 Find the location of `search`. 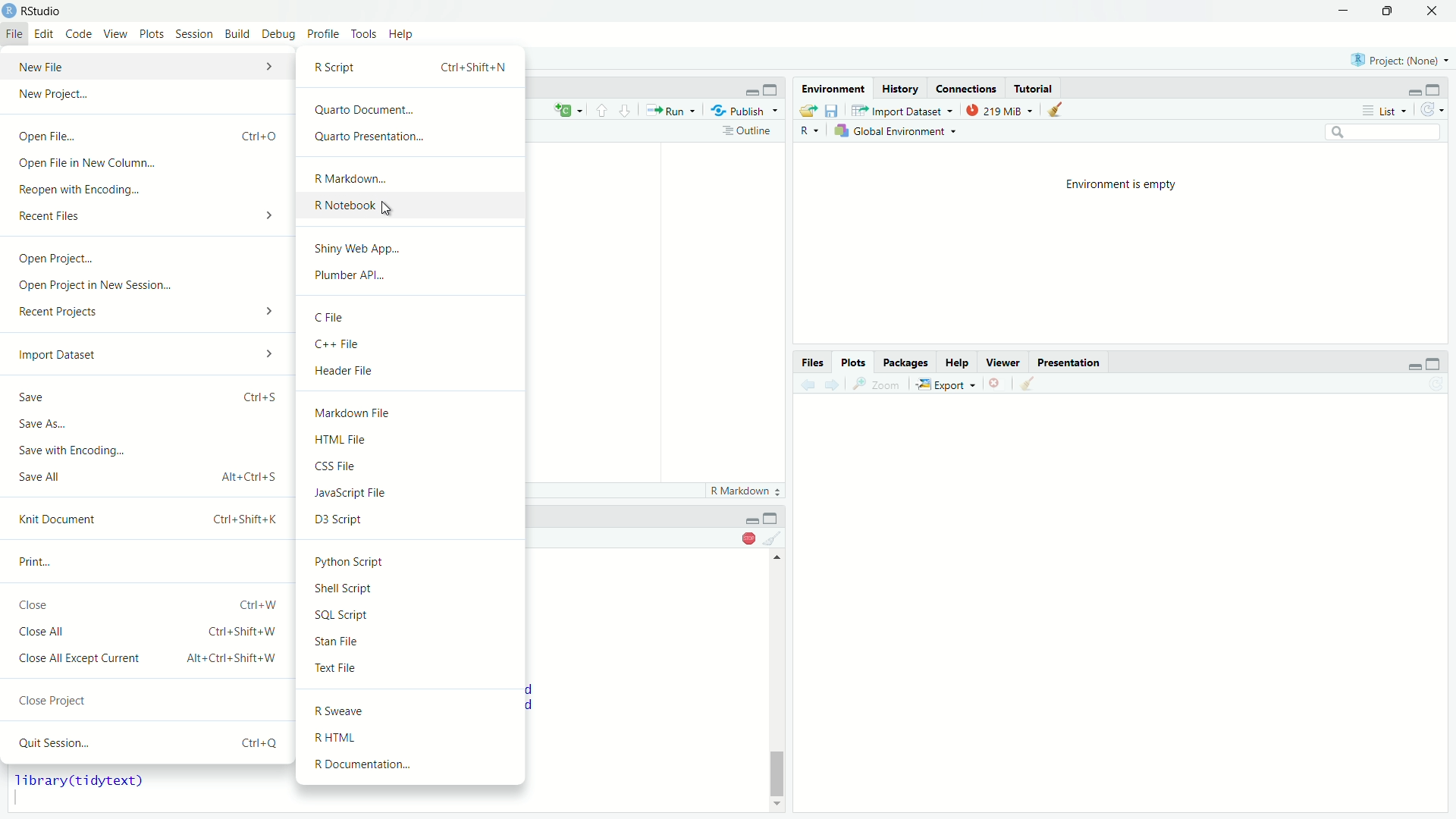

search is located at coordinates (1385, 132).